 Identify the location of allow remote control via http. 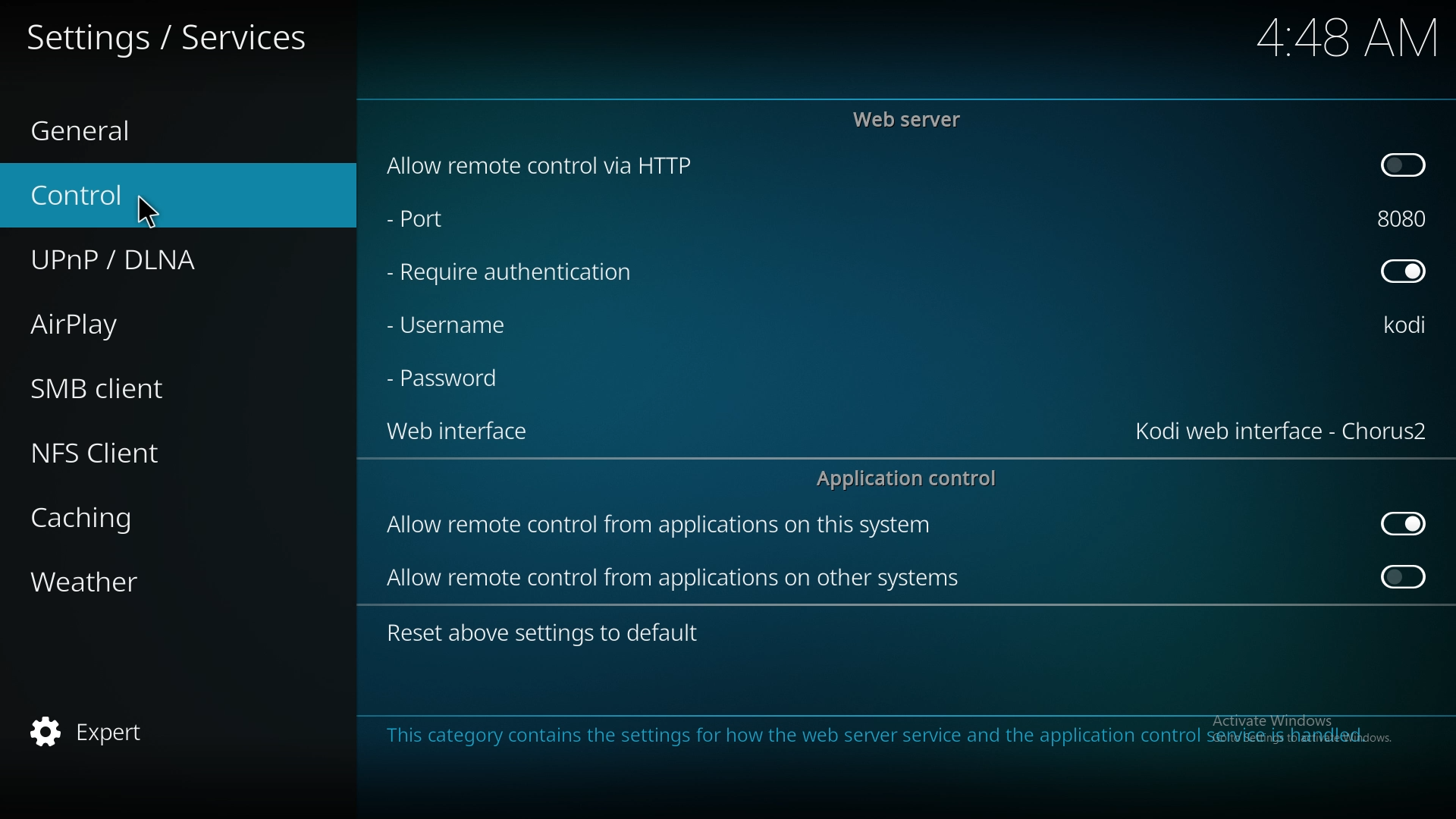
(579, 165).